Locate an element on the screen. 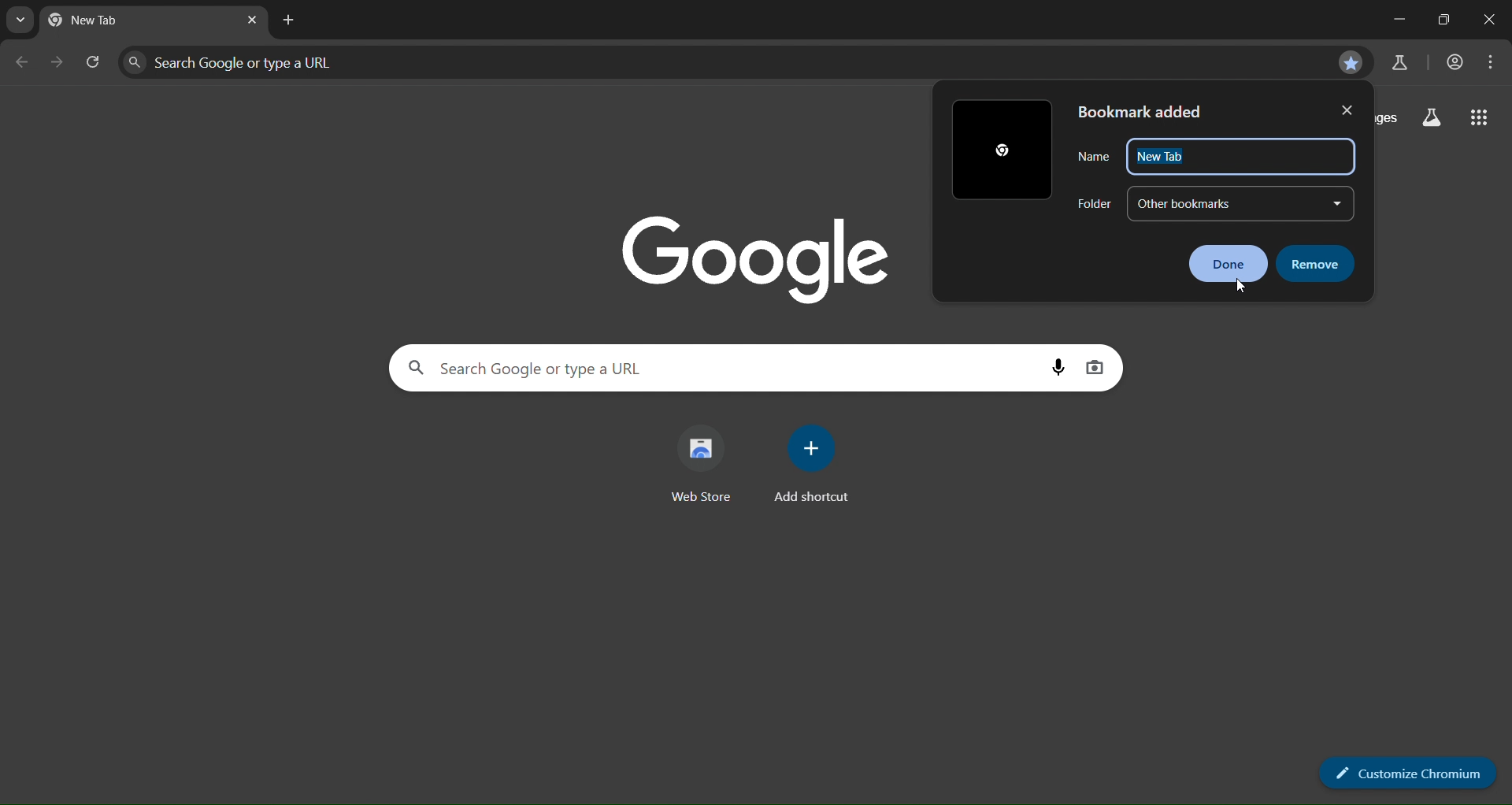 The height and width of the screenshot is (805, 1512). minimize is located at coordinates (1397, 17).